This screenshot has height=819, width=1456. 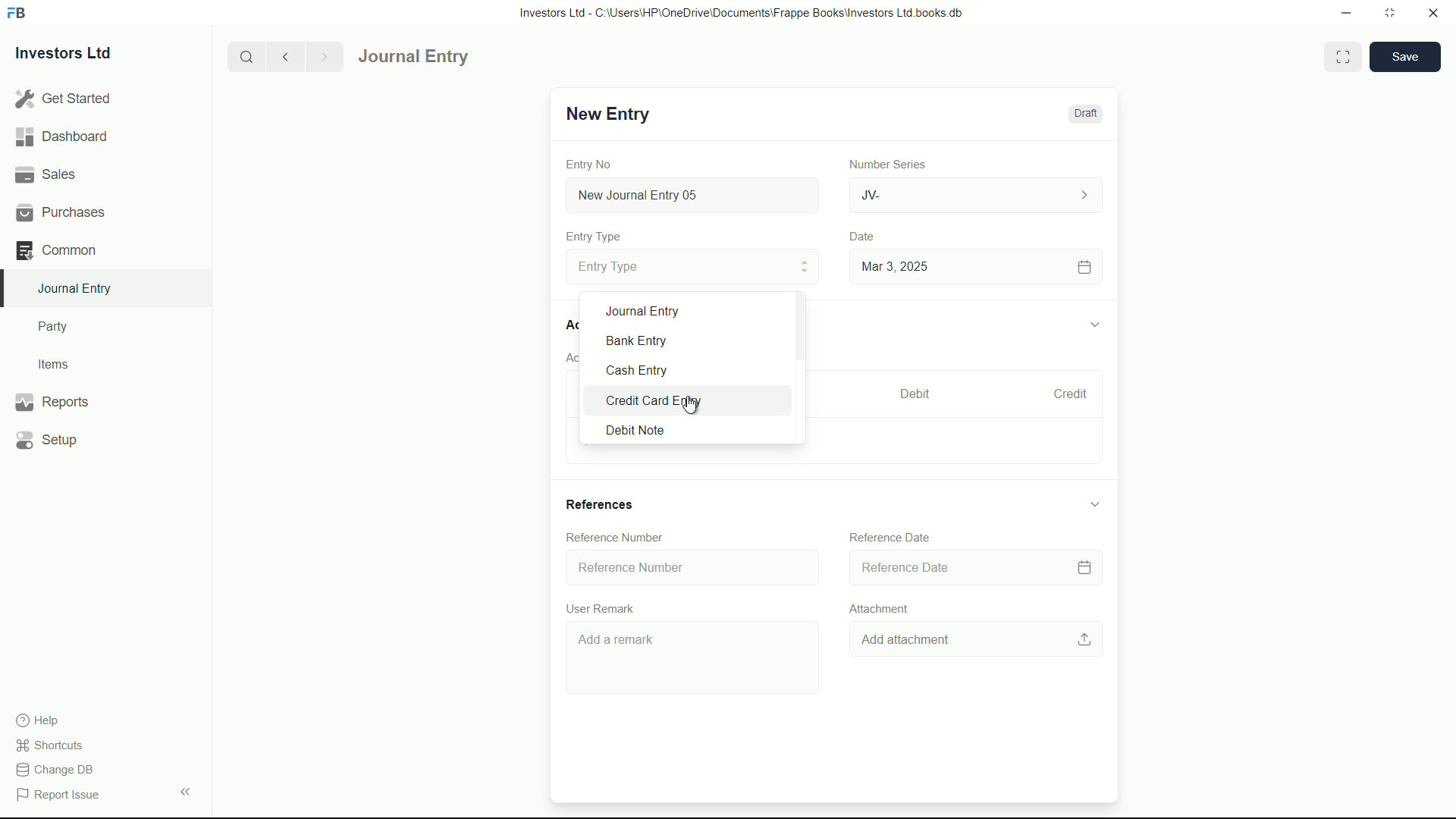 What do you see at coordinates (77, 55) in the screenshot?
I see `Investors Ltd` at bounding box center [77, 55].